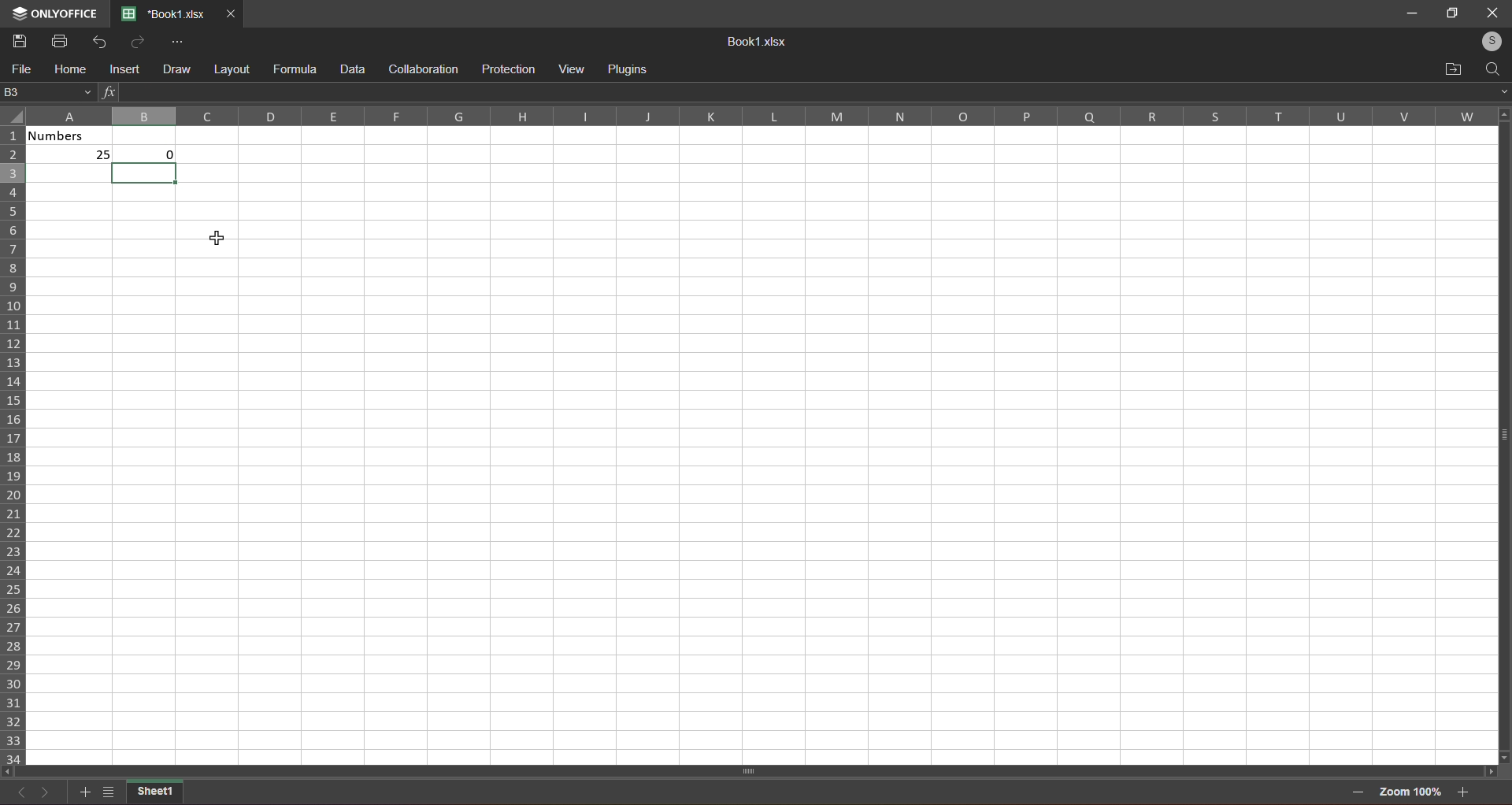 The image size is (1512, 805). I want to click on scroll up, so click(1500, 113).